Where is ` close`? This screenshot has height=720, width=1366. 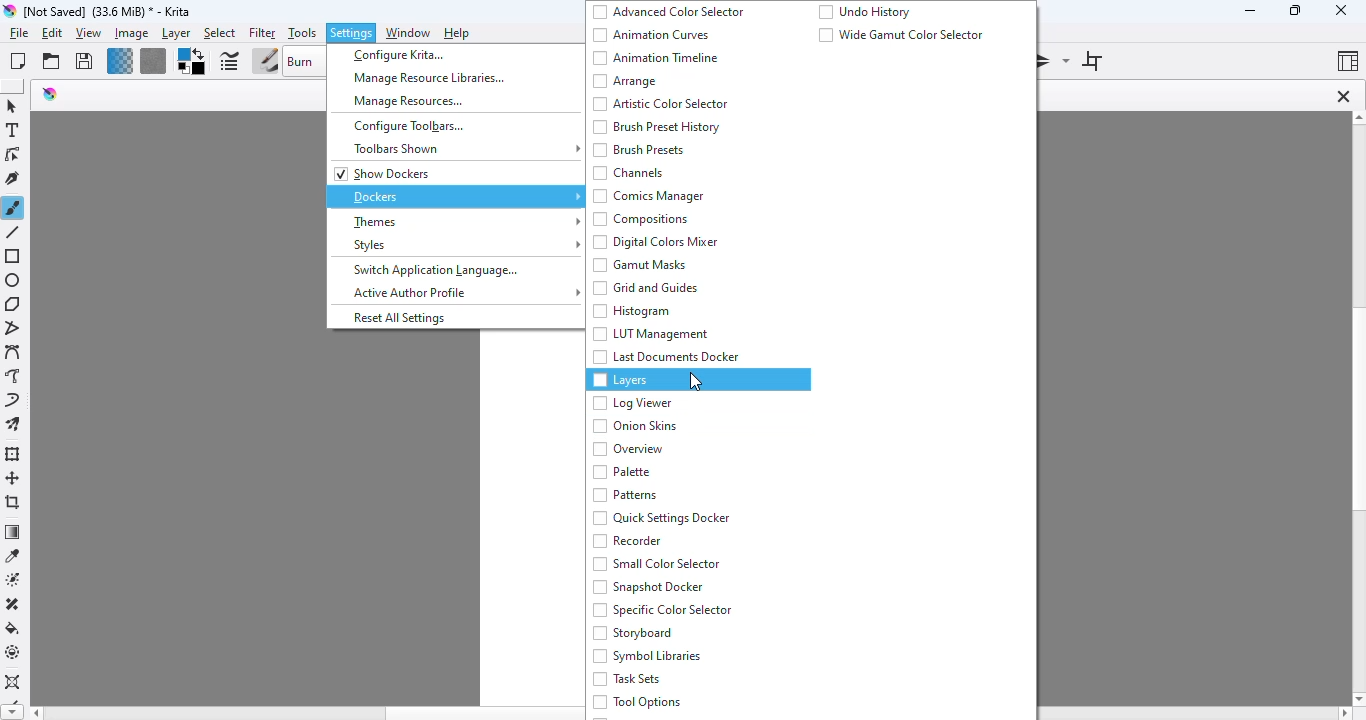  close is located at coordinates (1340, 10).